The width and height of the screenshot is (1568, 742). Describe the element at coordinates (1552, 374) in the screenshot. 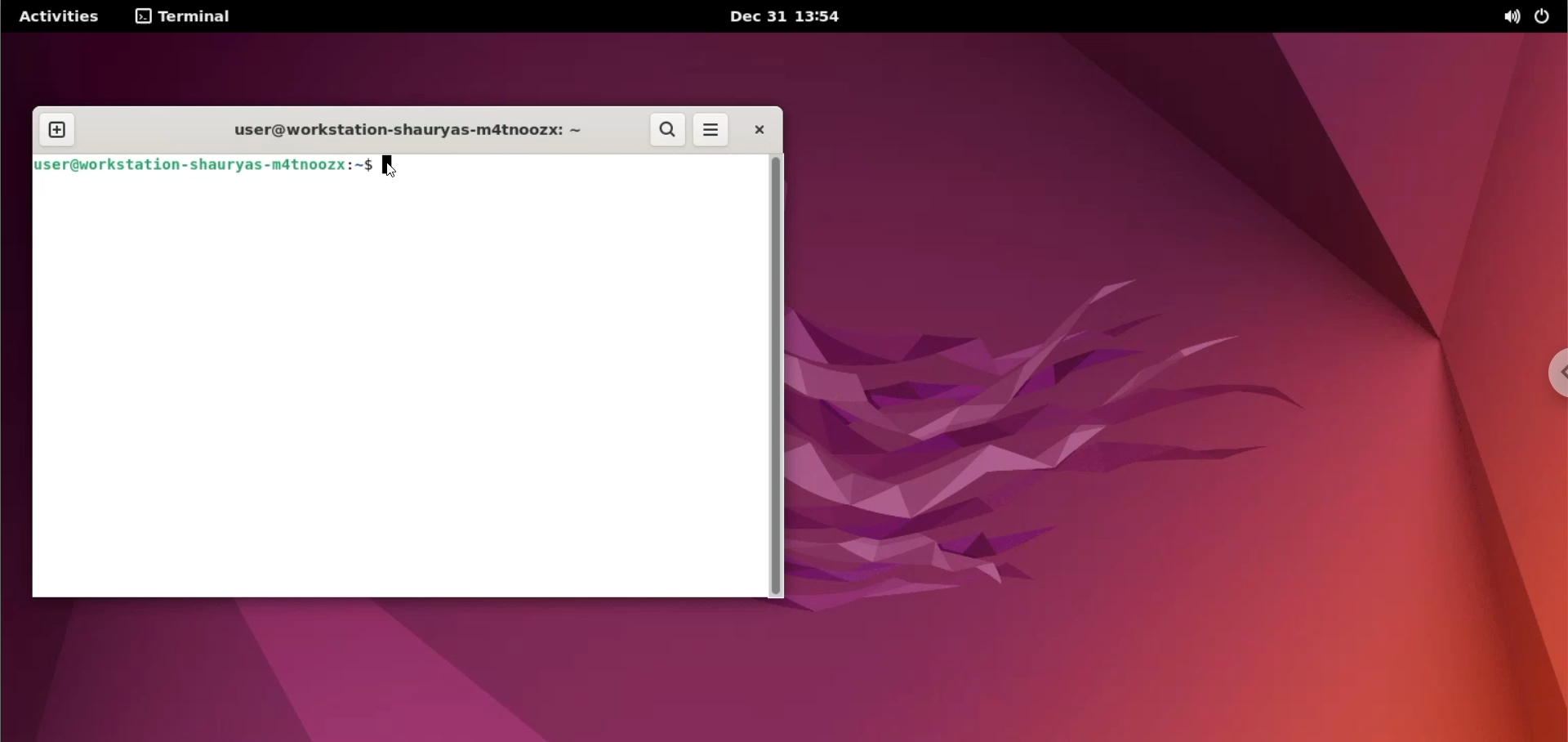

I see `chrome options` at that location.